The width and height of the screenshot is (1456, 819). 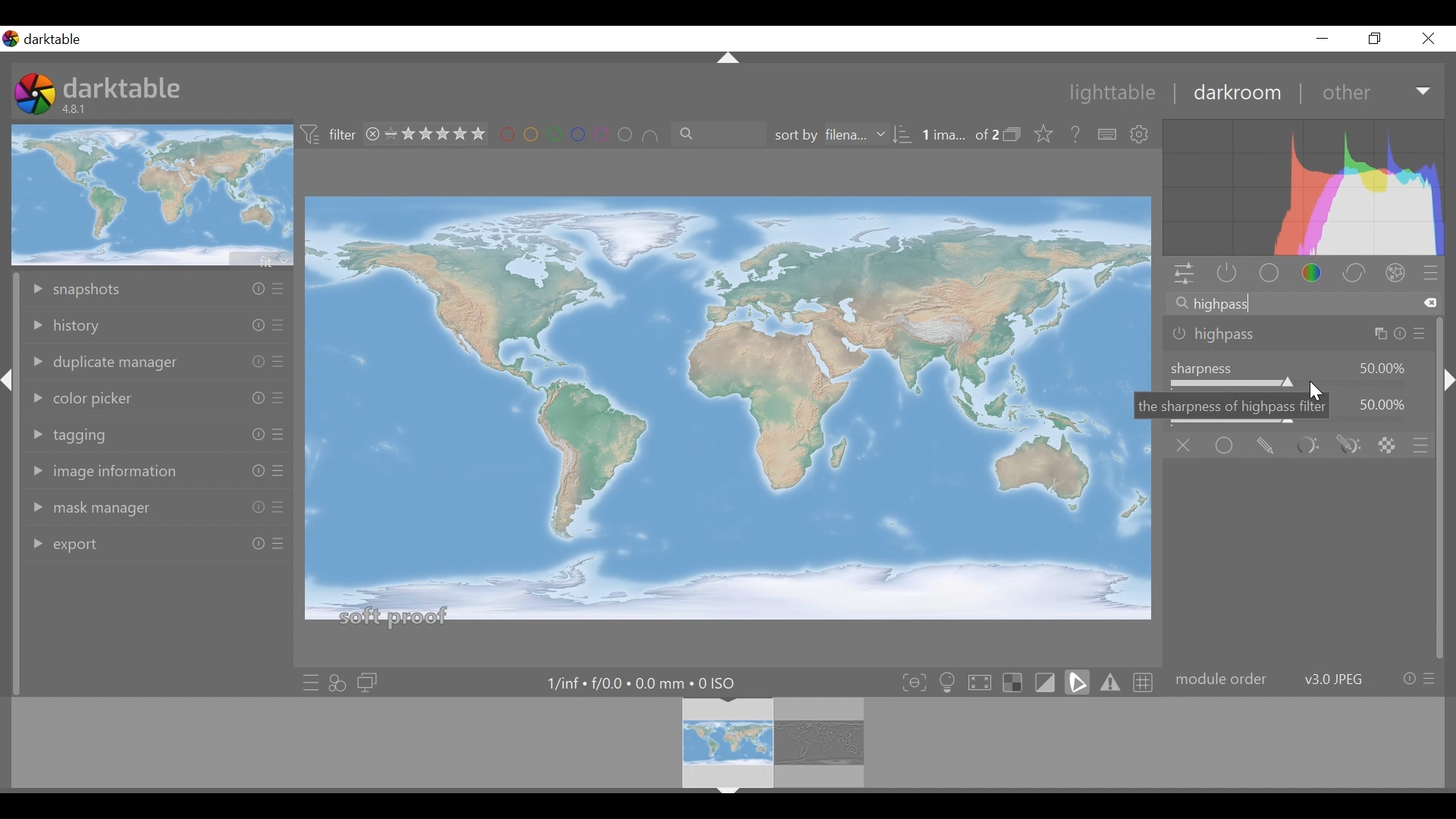 What do you see at coordinates (1354, 272) in the screenshot?
I see `correct` at bounding box center [1354, 272].